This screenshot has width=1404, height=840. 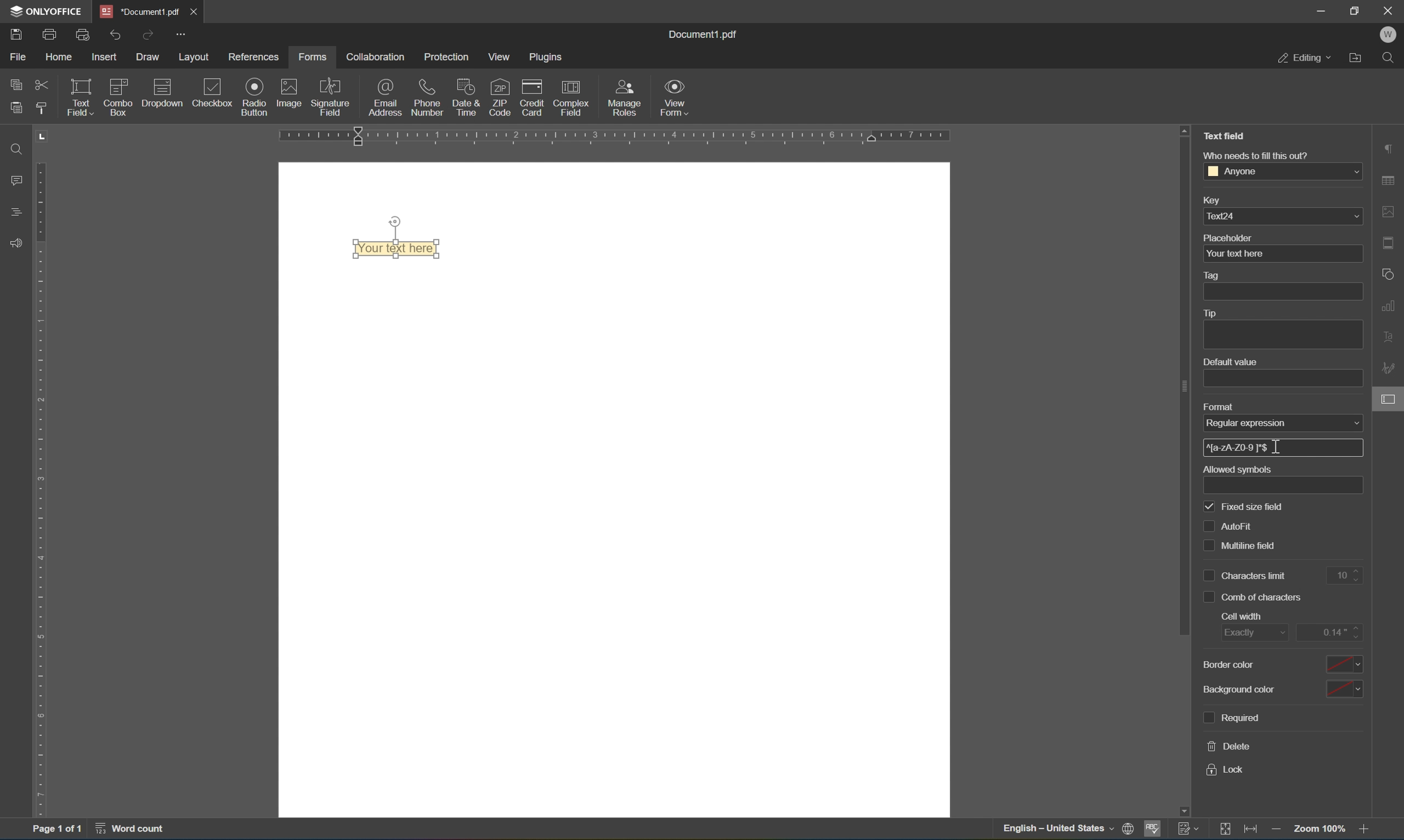 What do you see at coordinates (312, 57) in the screenshot?
I see `forms` at bounding box center [312, 57].